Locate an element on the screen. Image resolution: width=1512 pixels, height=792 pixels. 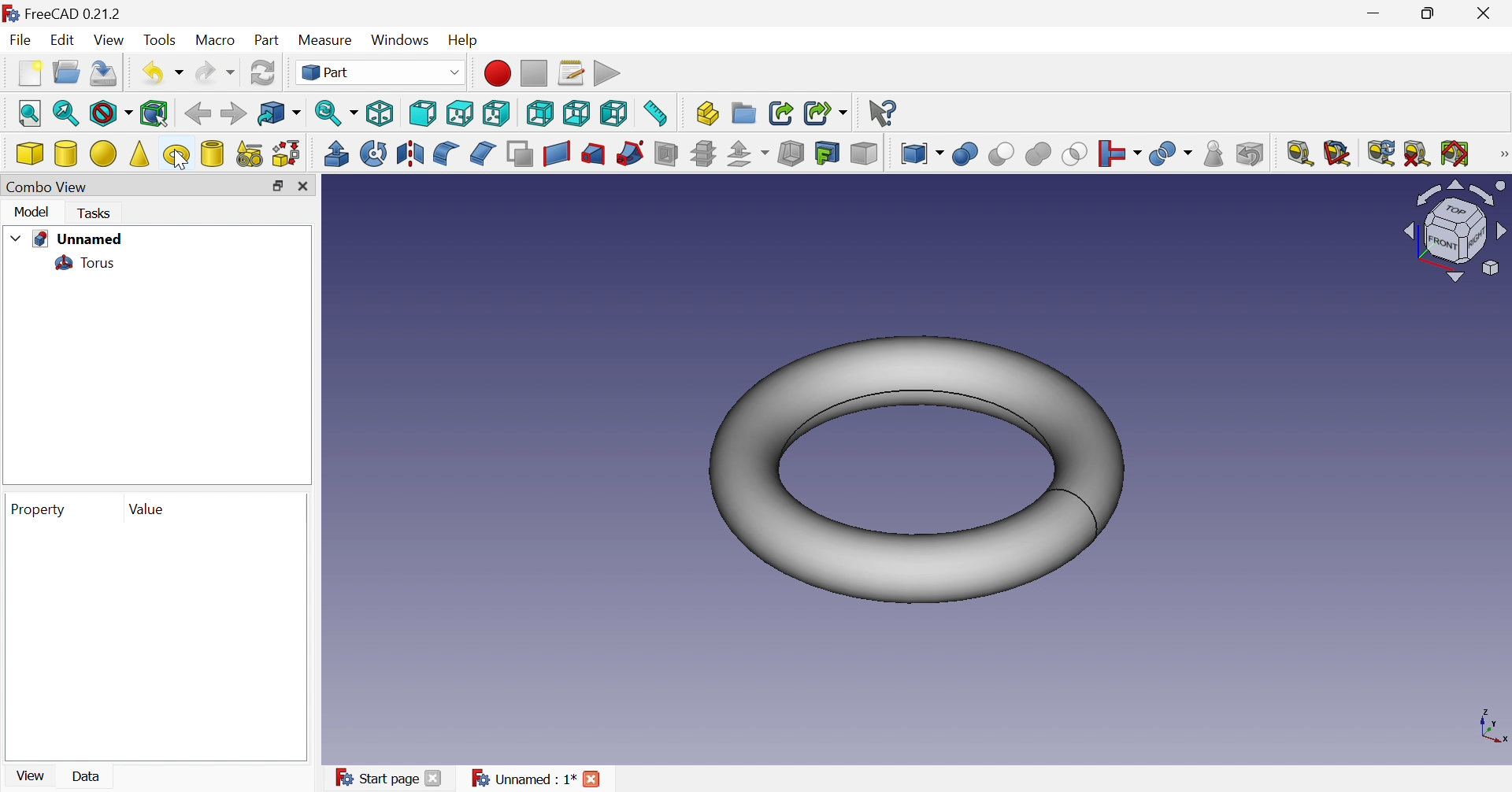
Boolean is located at coordinates (966, 154).